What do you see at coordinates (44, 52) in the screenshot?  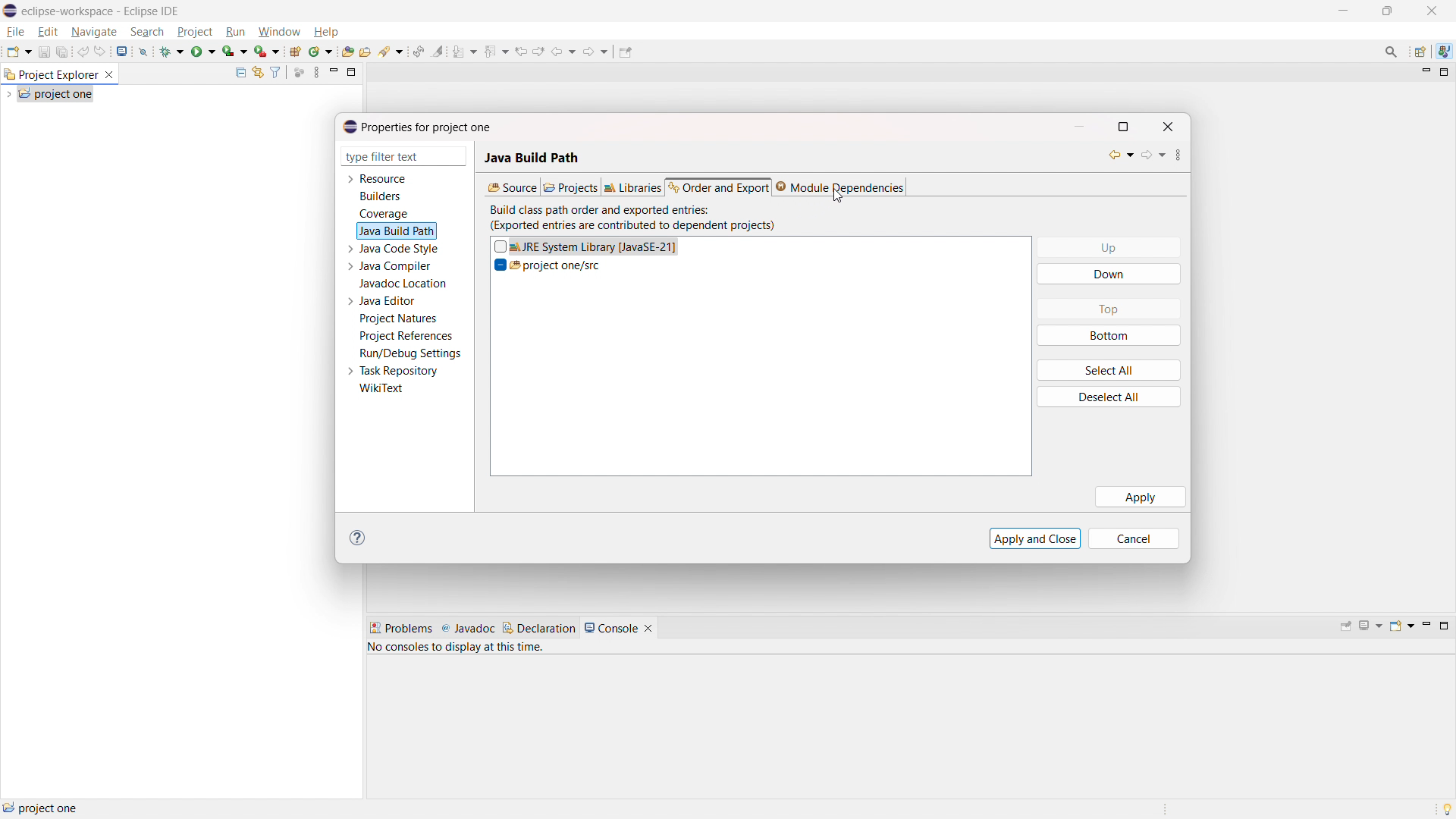 I see `save` at bounding box center [44, 52].